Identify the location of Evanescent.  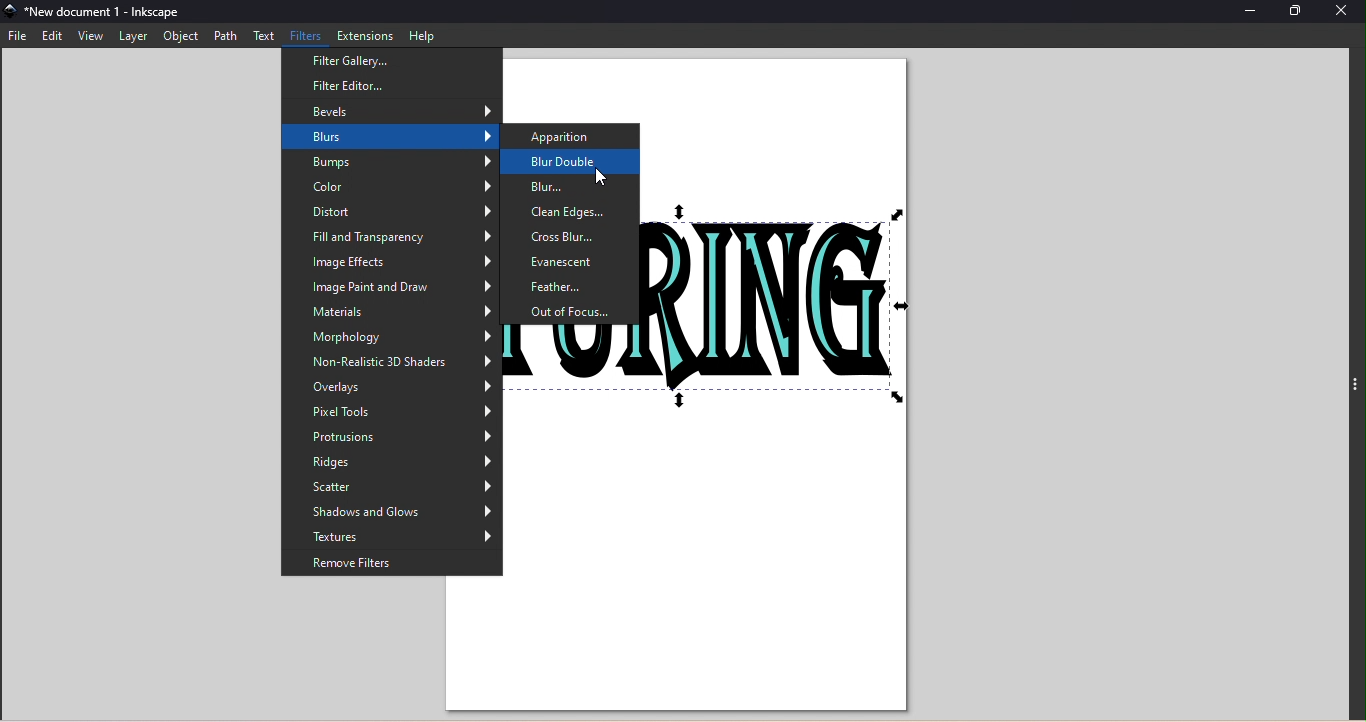
(572, 261).